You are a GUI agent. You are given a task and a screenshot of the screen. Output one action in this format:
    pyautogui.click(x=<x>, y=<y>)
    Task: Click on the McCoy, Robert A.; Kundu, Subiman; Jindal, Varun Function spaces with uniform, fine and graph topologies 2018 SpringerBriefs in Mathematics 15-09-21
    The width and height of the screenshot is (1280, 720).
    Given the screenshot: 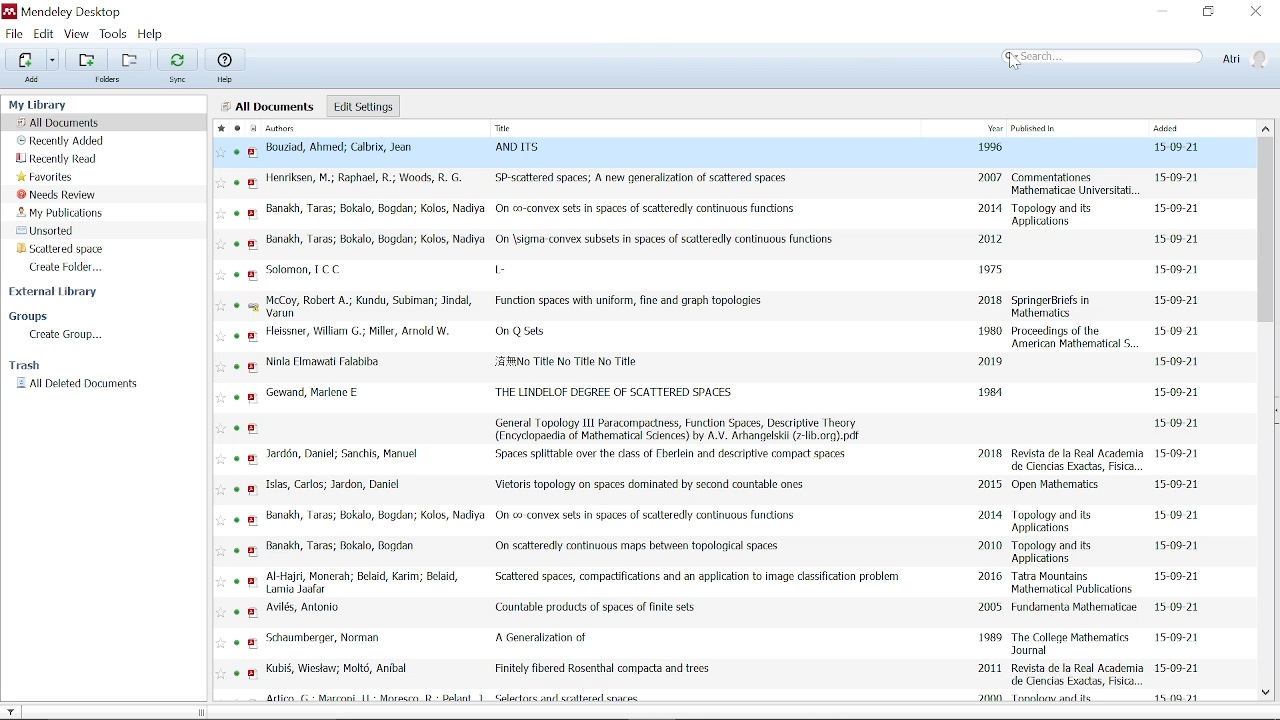 What is the action you would take?
    pyautogui.click(x=727, y=306)
    